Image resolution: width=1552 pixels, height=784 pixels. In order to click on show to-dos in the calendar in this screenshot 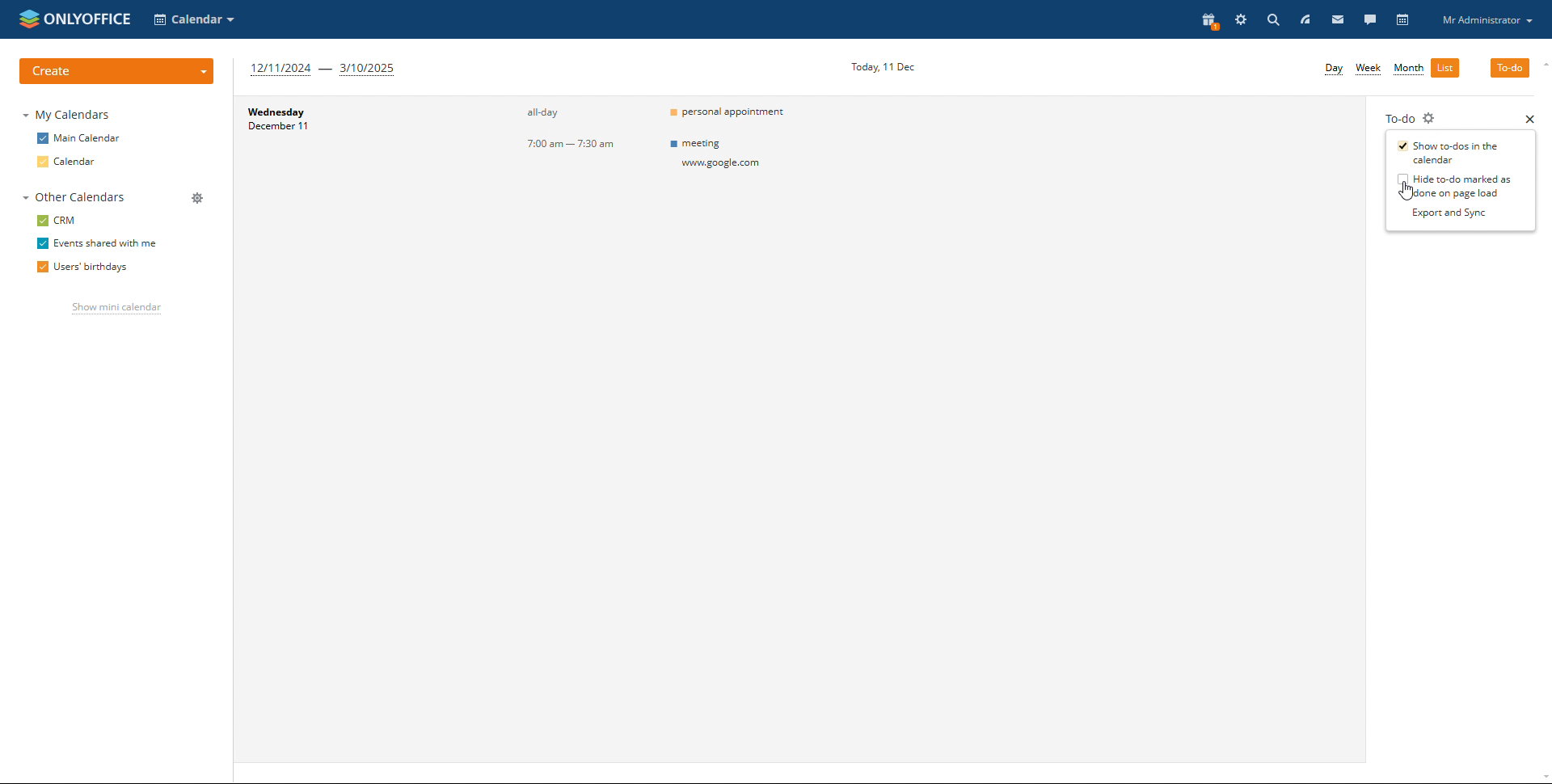, I will do `click(1449, 152)`.